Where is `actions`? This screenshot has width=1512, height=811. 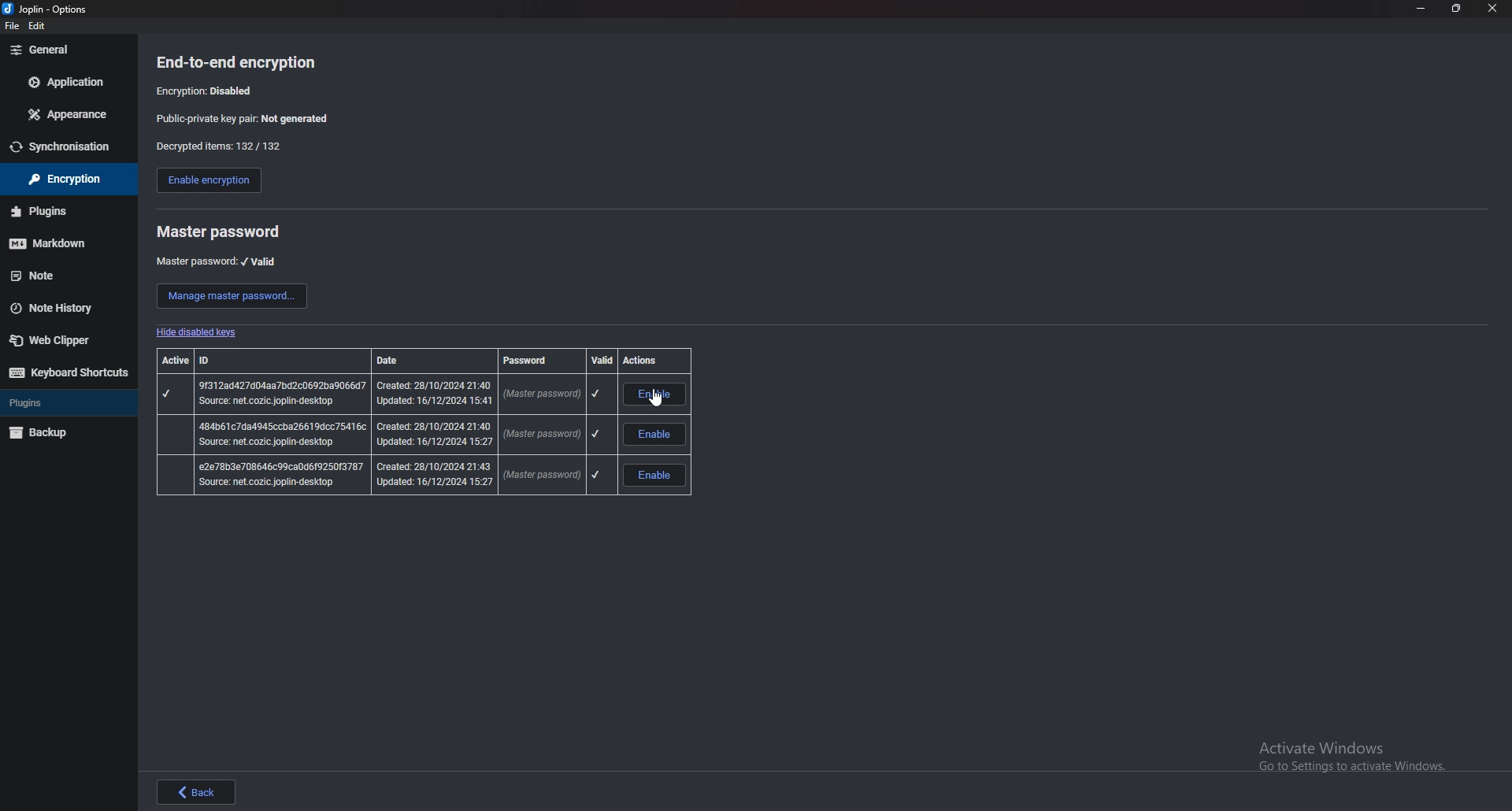 actions is located at coordinates (650, 361).